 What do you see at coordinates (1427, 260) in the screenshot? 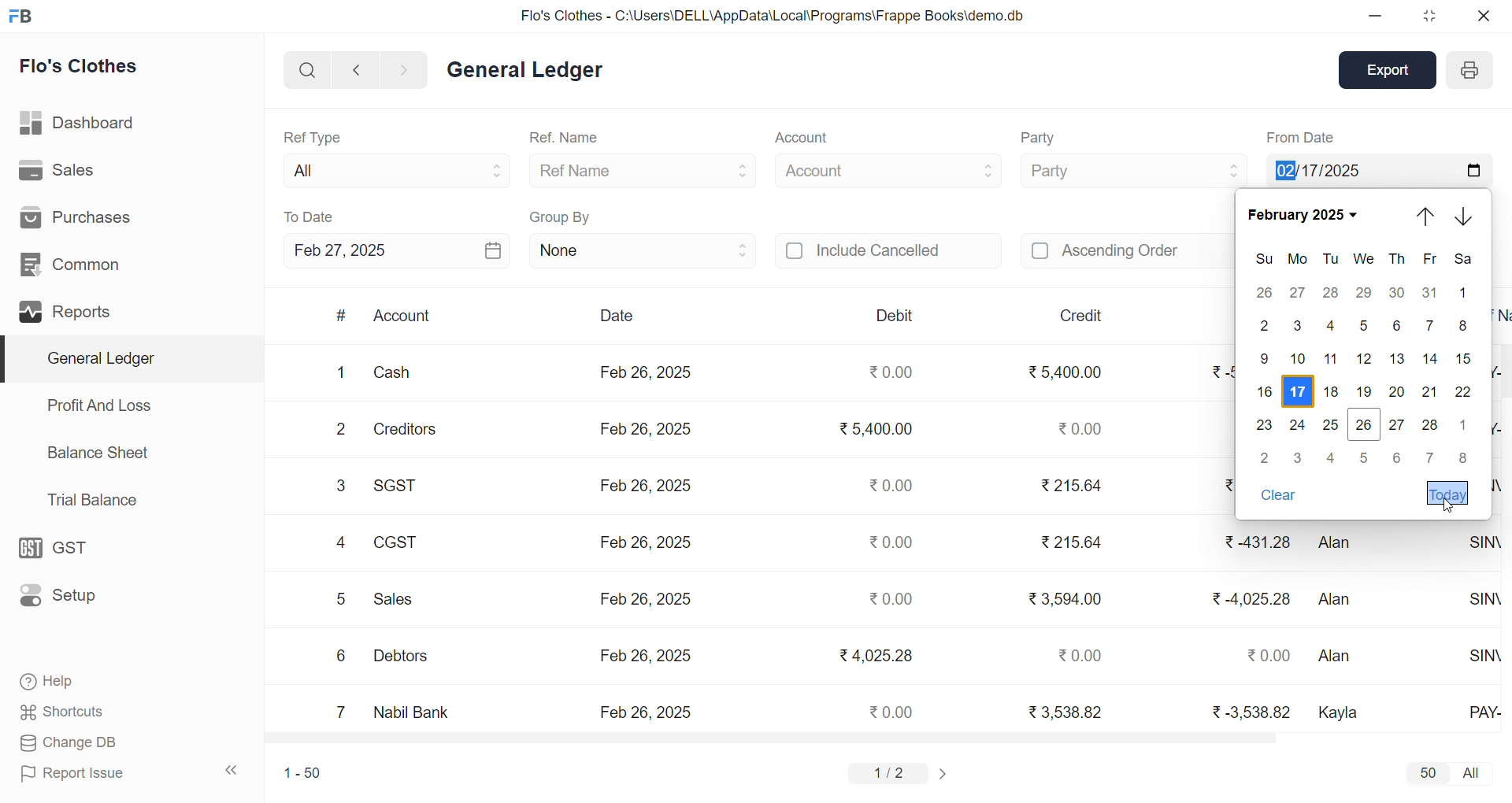
I see `Fr` at bounding box center [1427, 260].